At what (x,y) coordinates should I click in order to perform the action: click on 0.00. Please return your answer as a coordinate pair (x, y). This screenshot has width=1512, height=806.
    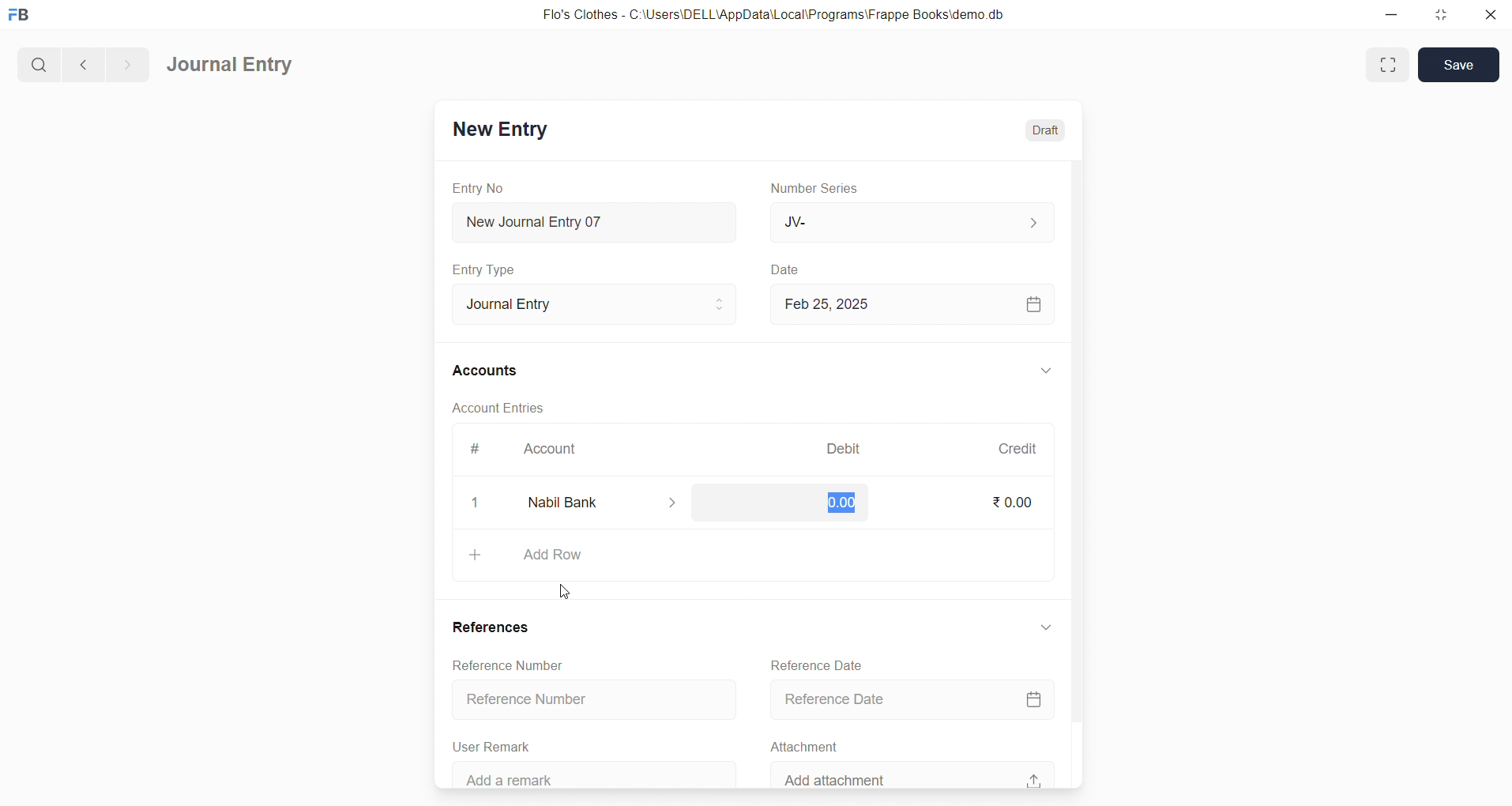
    Looking at the image, I should click on (841, 503).